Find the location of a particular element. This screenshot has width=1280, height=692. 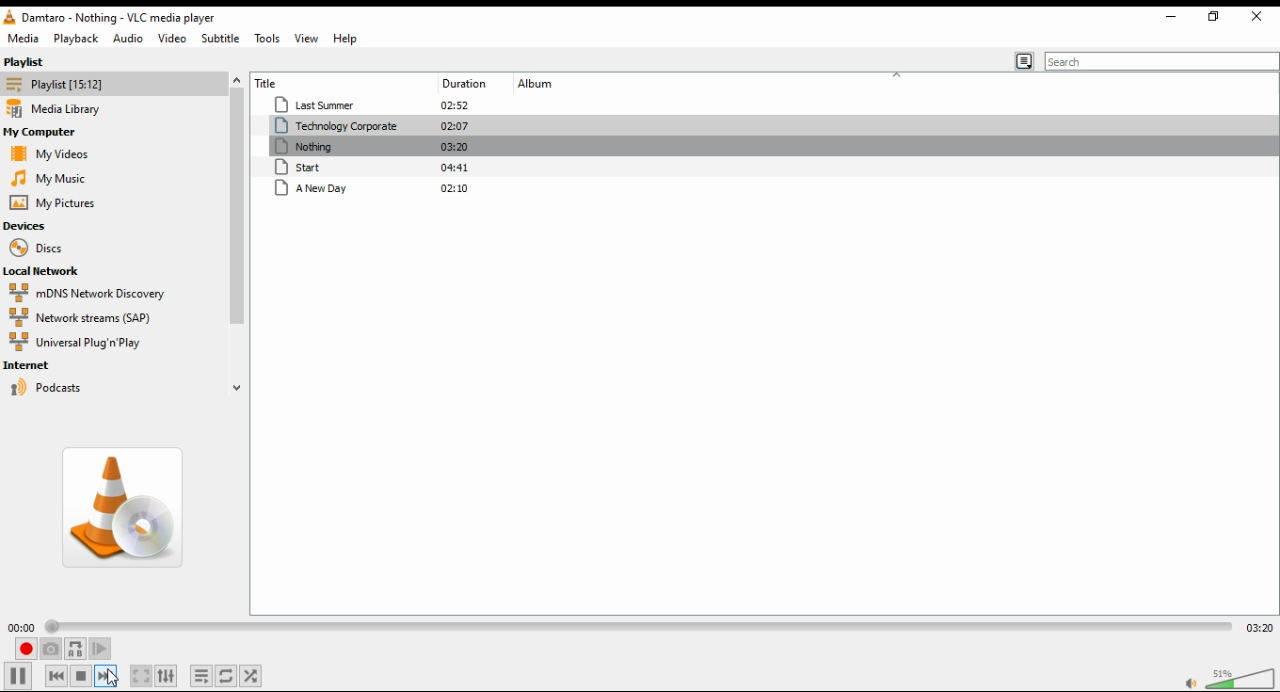

cursor is located at coordinates (115, 678).